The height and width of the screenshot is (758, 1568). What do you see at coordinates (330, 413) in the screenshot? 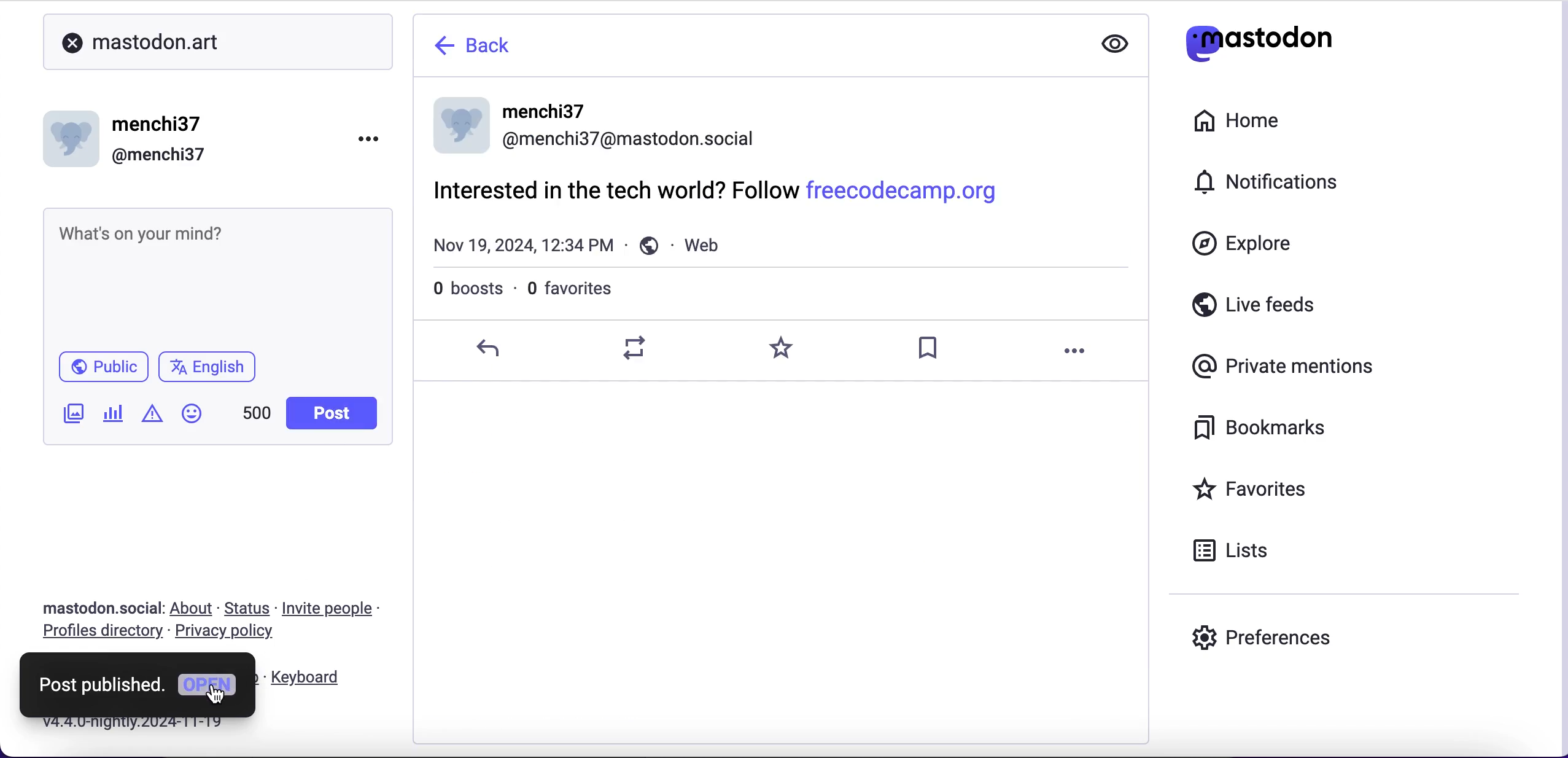
I see `post` at bounding box center [330, 413].